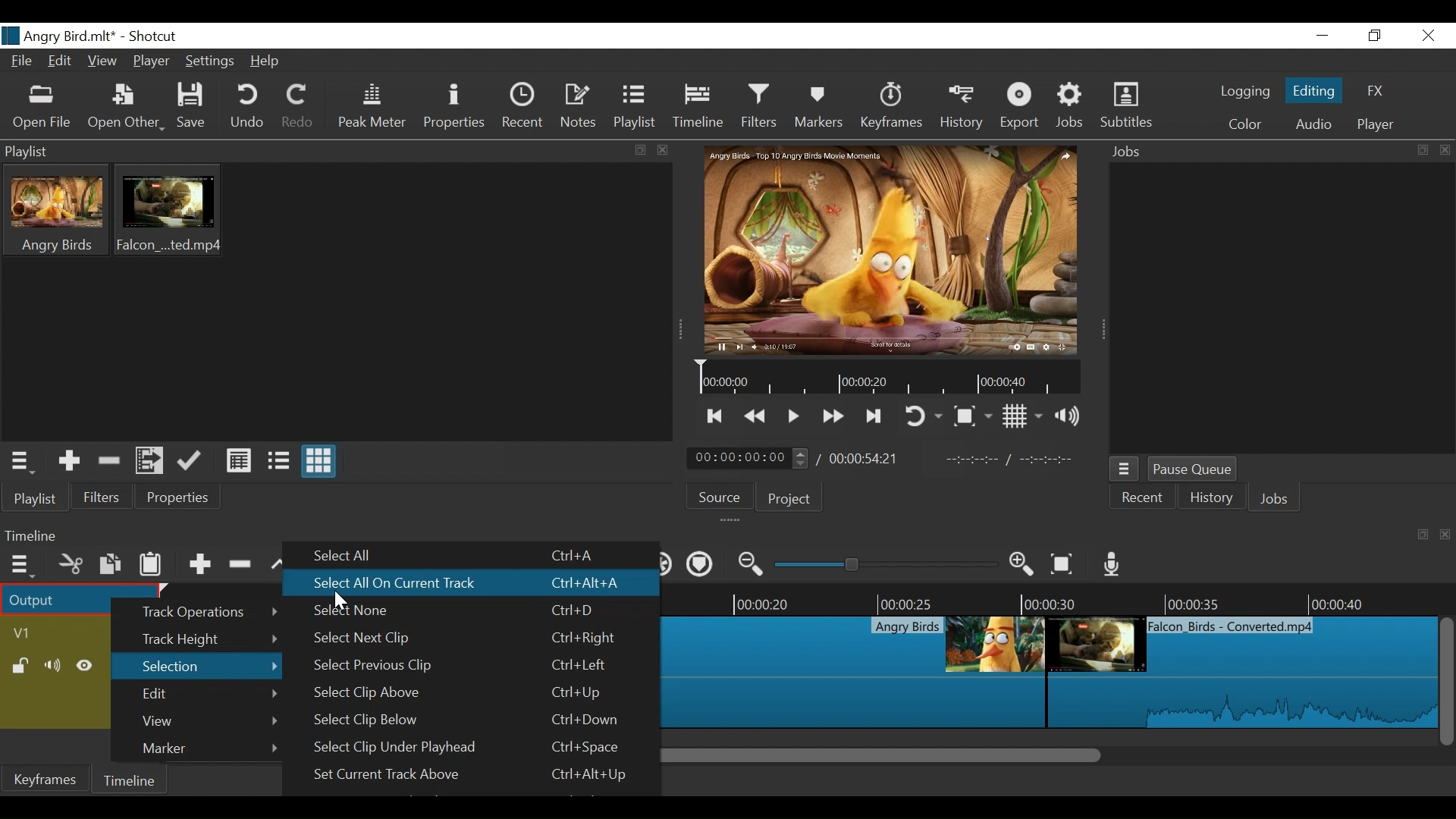  Describe the element at coordinates (1376, 36) in the screenshot. I see `Restore` at that location.